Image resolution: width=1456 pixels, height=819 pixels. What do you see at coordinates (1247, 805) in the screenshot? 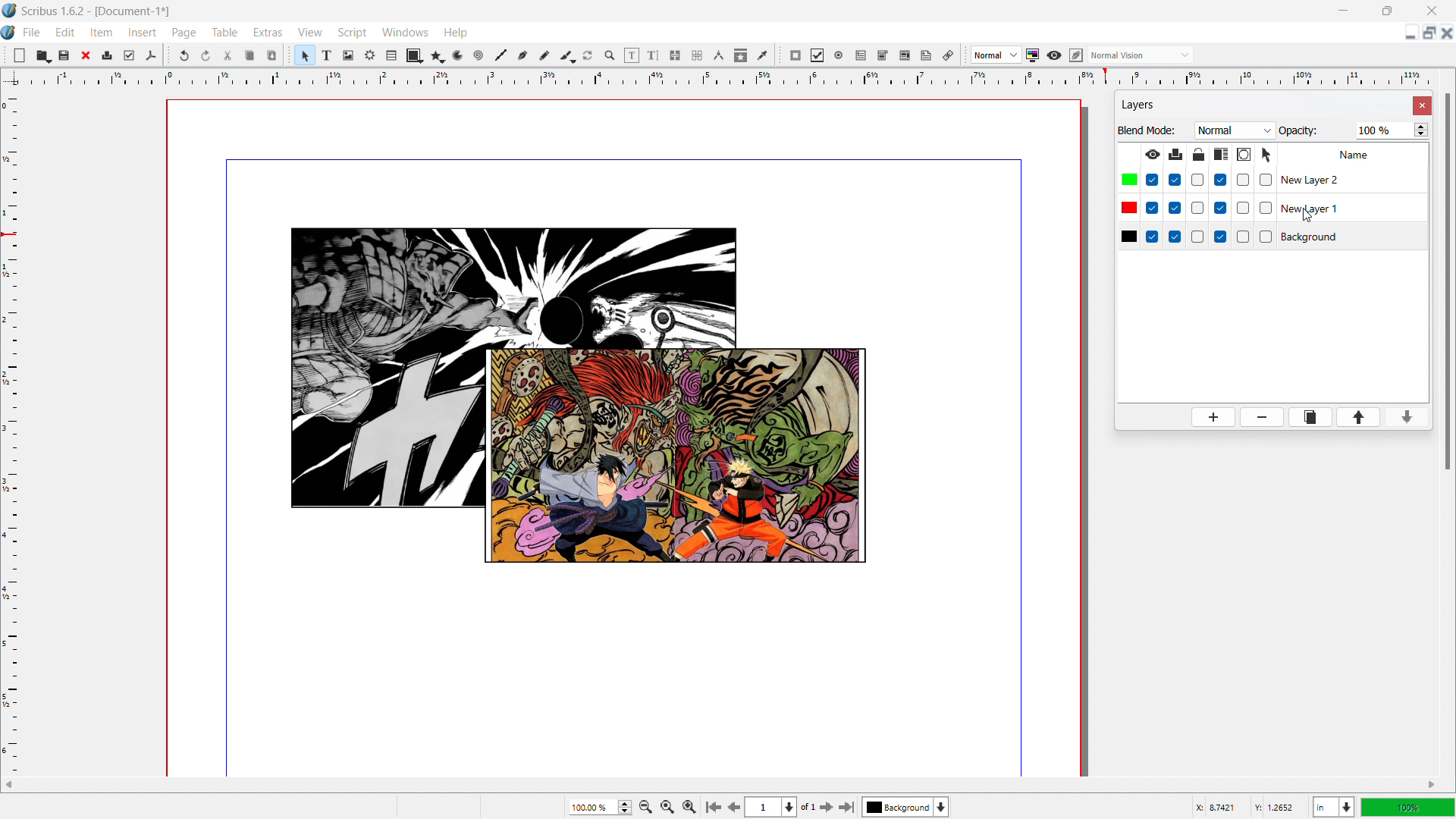
I see `cursor coordinates` at bounding box center [1247, 805].